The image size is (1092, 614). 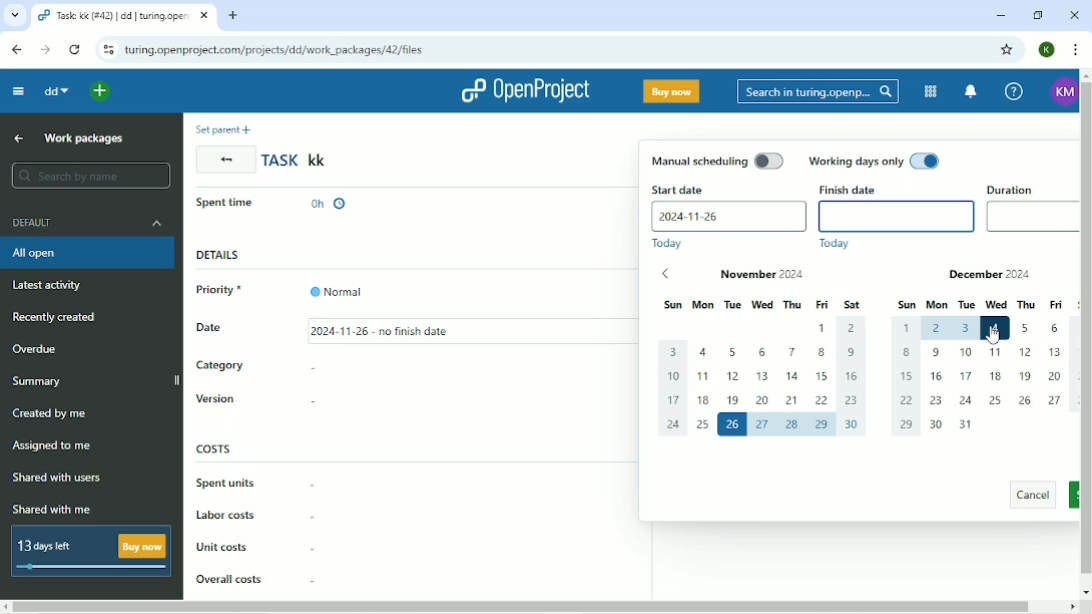 I want to click on Details, so click(x=218, y=256).